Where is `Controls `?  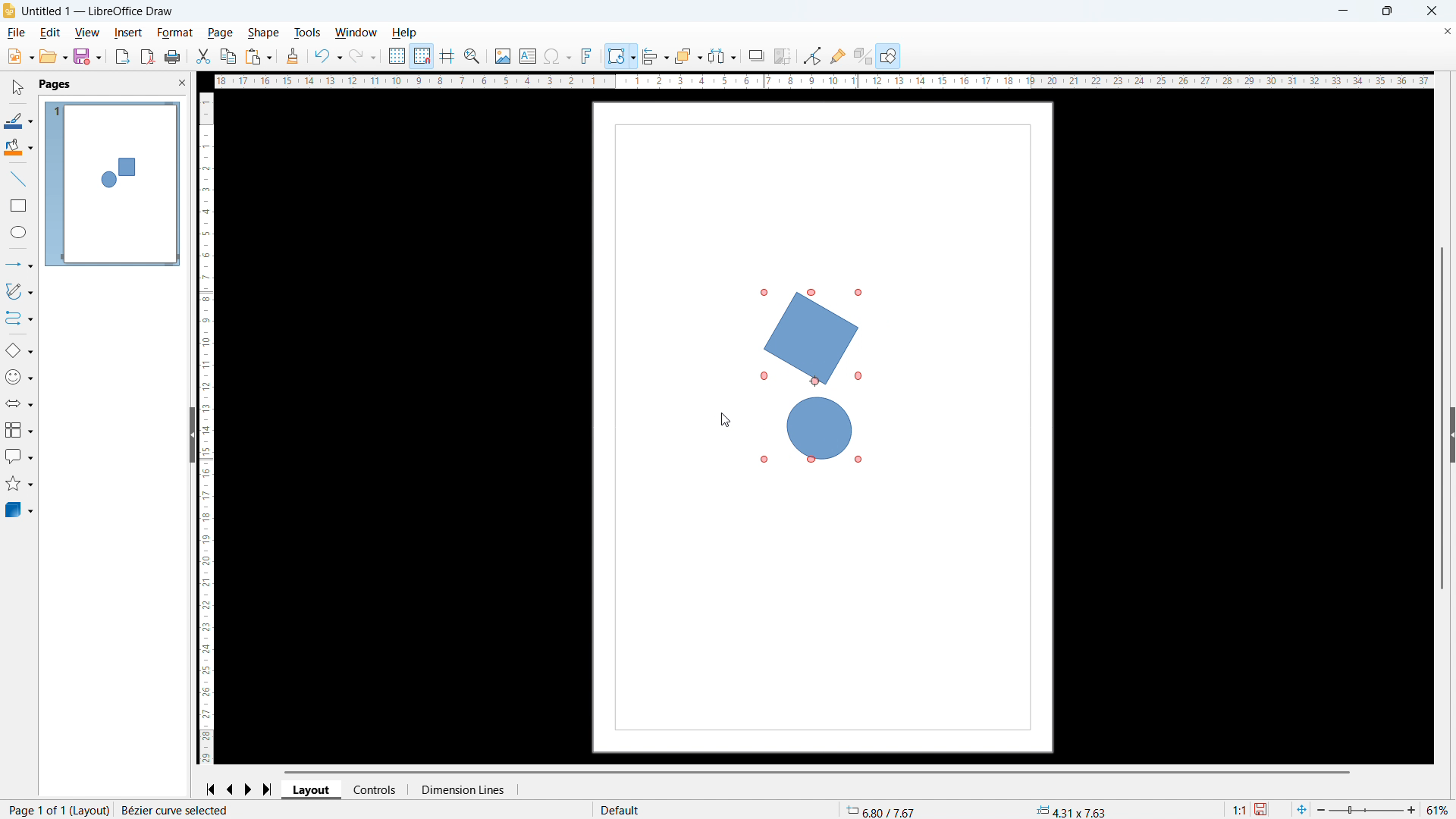
Controls  is located at coordinates (377, 789).